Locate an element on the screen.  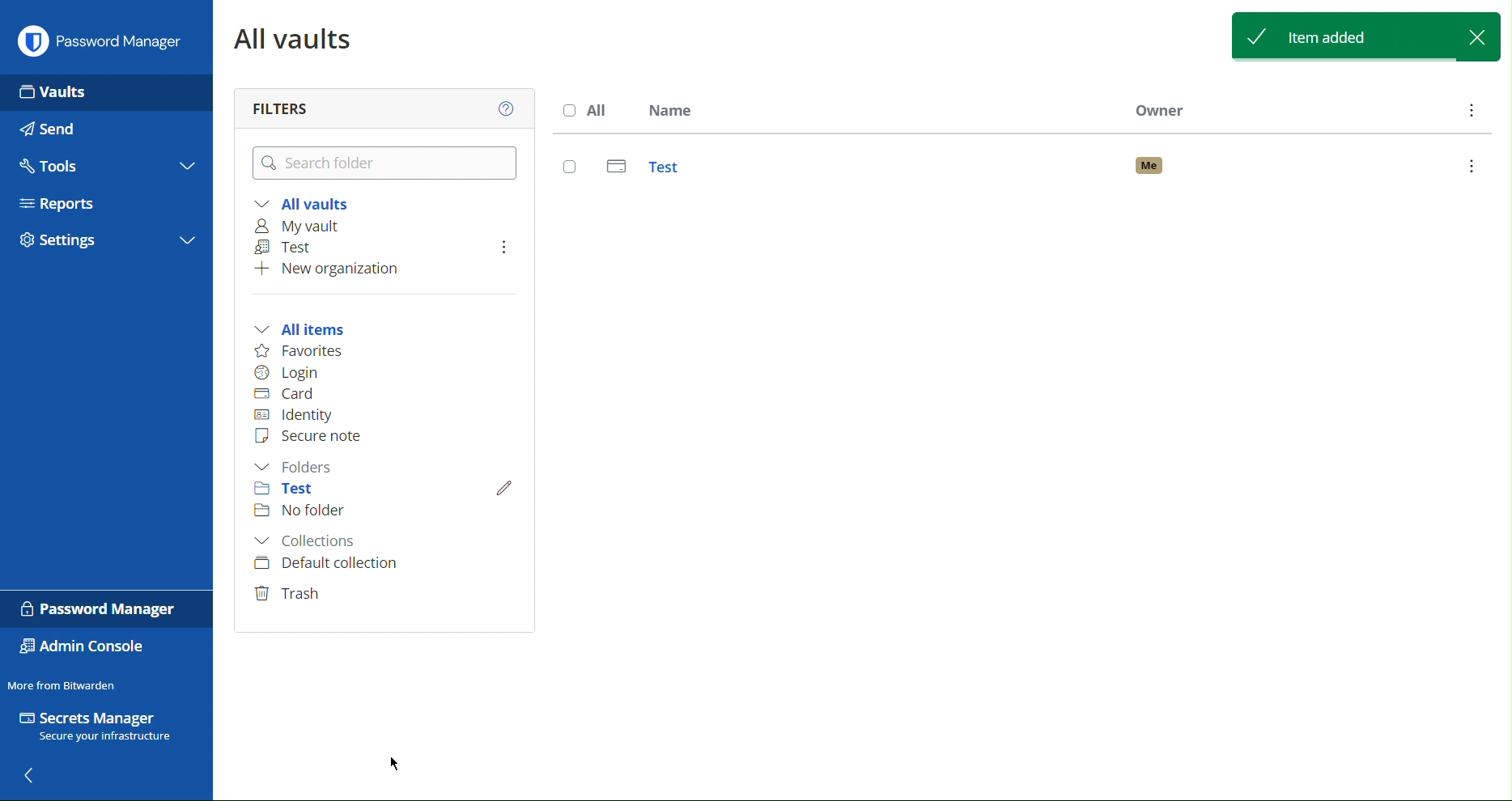
Collections is located at coordinates (312, 539).